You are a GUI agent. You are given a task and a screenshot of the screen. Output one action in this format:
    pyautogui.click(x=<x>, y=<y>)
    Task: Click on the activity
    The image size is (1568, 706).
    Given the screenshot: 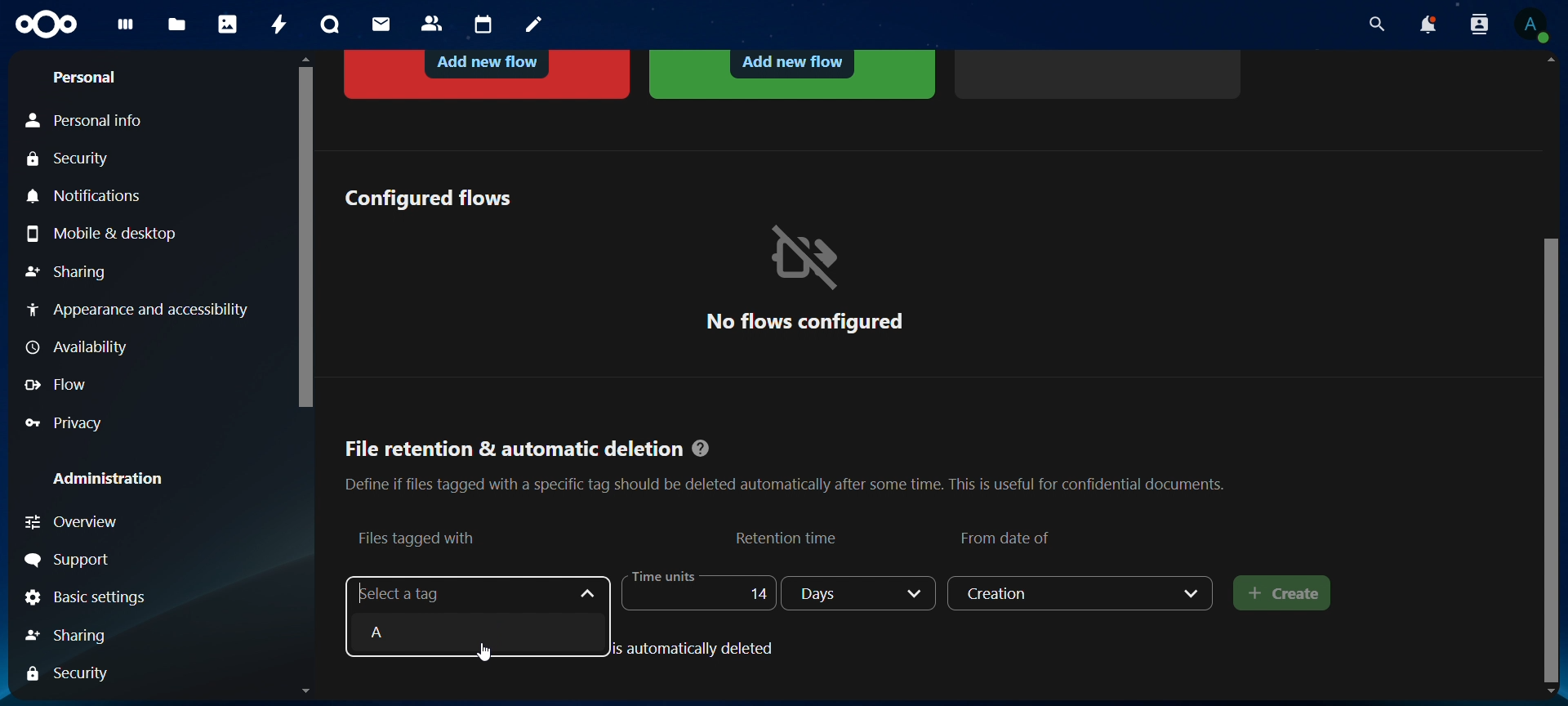 What is the action you would take?
    pyautogui.click(x=281, y=25)
    